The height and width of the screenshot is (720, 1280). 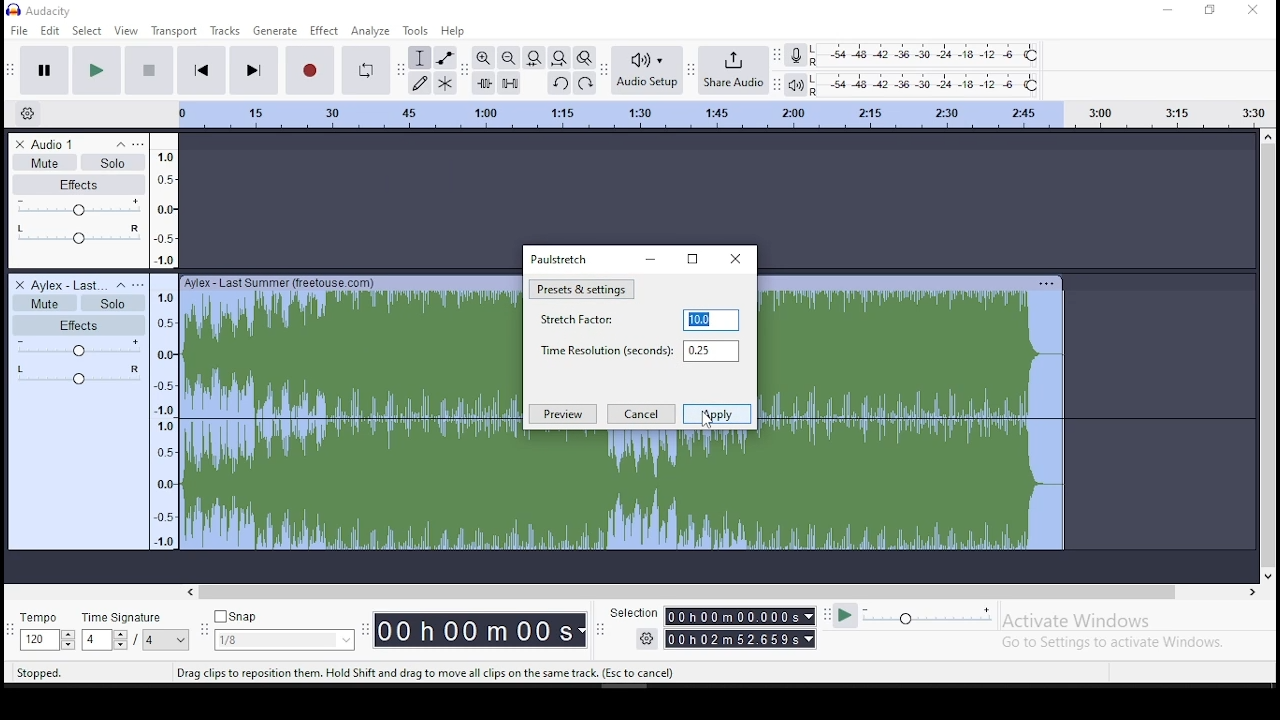 What do you see at coordinates (49, 30) in the screenshot?
I see `edit` at bounding box center [49, 30].